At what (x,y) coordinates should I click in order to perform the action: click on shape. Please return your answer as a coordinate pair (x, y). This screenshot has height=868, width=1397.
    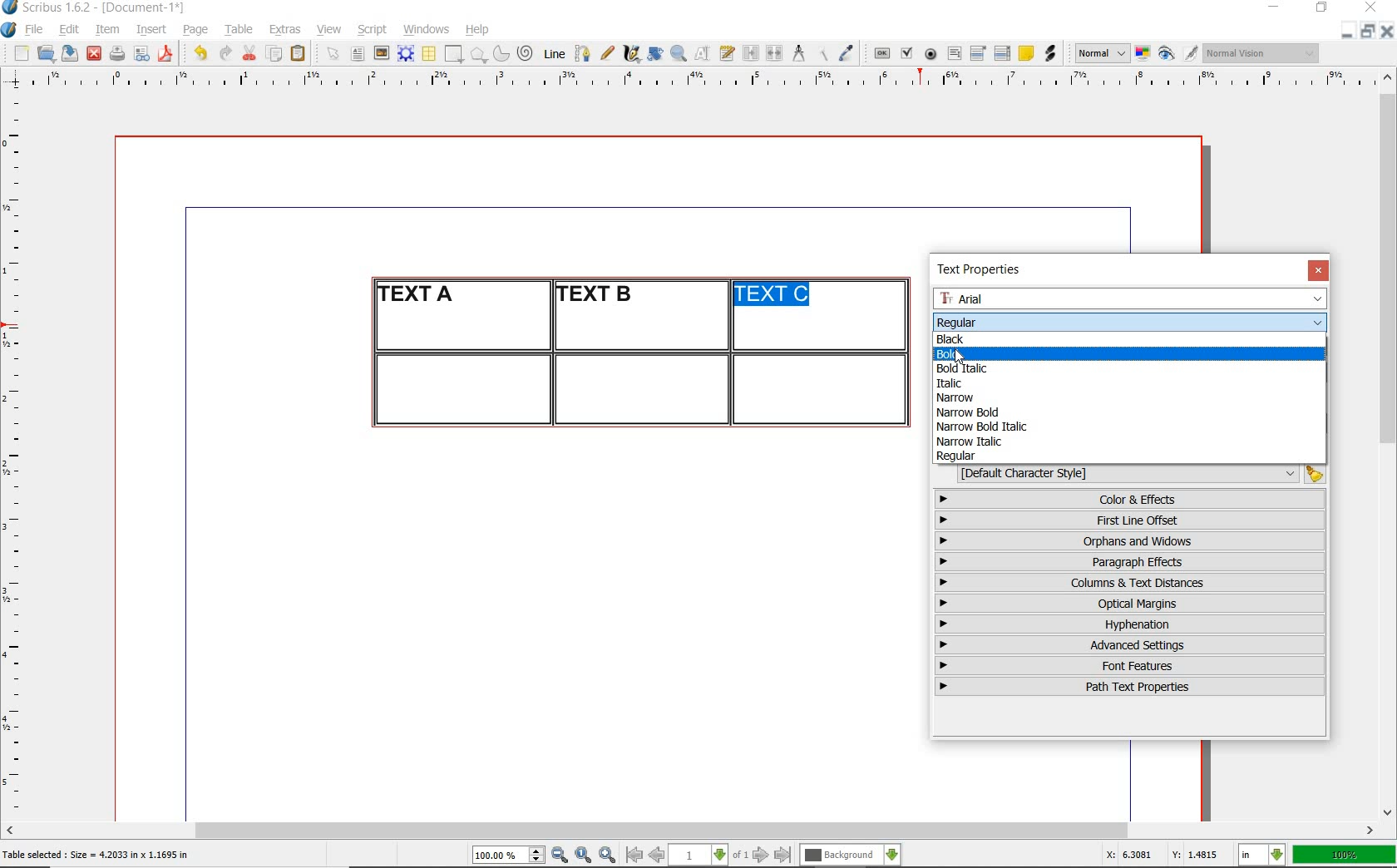
    Looking at the image, I should click on (456, 55).